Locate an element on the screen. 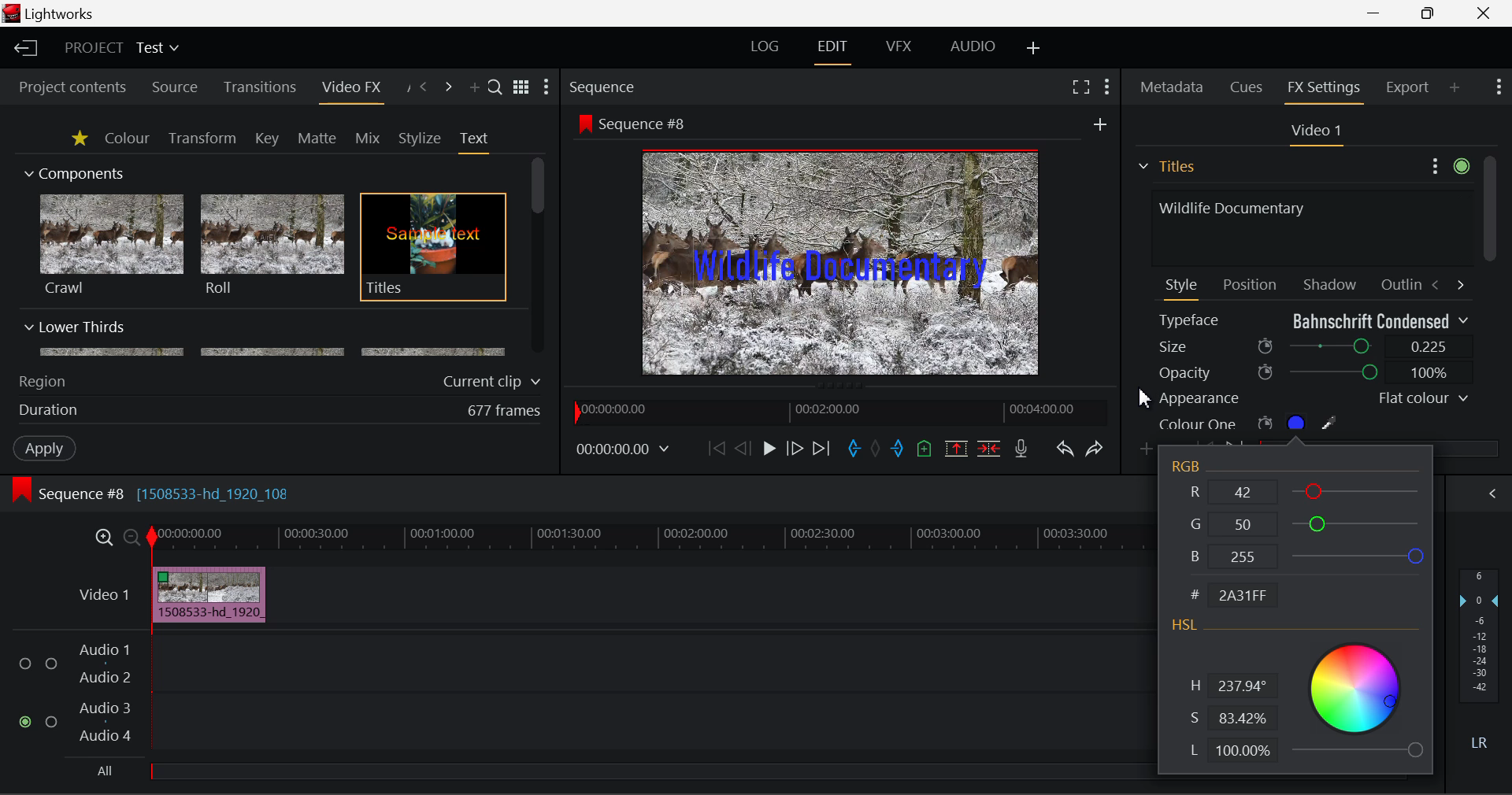 The height and width of the screenshot is (795, 1512). Back to Homepage is located at coordinates (24, 49).